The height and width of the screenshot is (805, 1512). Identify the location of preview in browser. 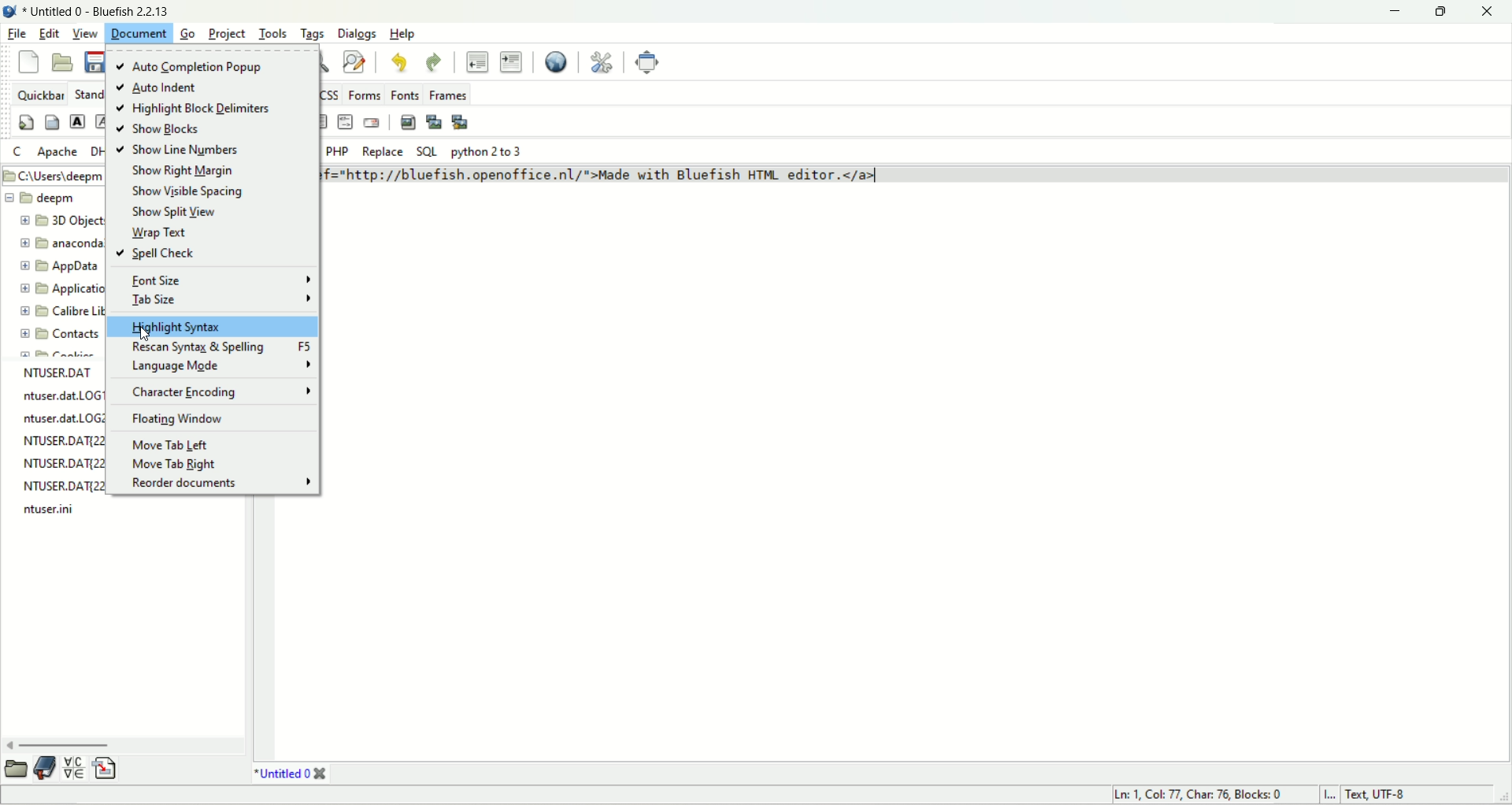
(558, 63).